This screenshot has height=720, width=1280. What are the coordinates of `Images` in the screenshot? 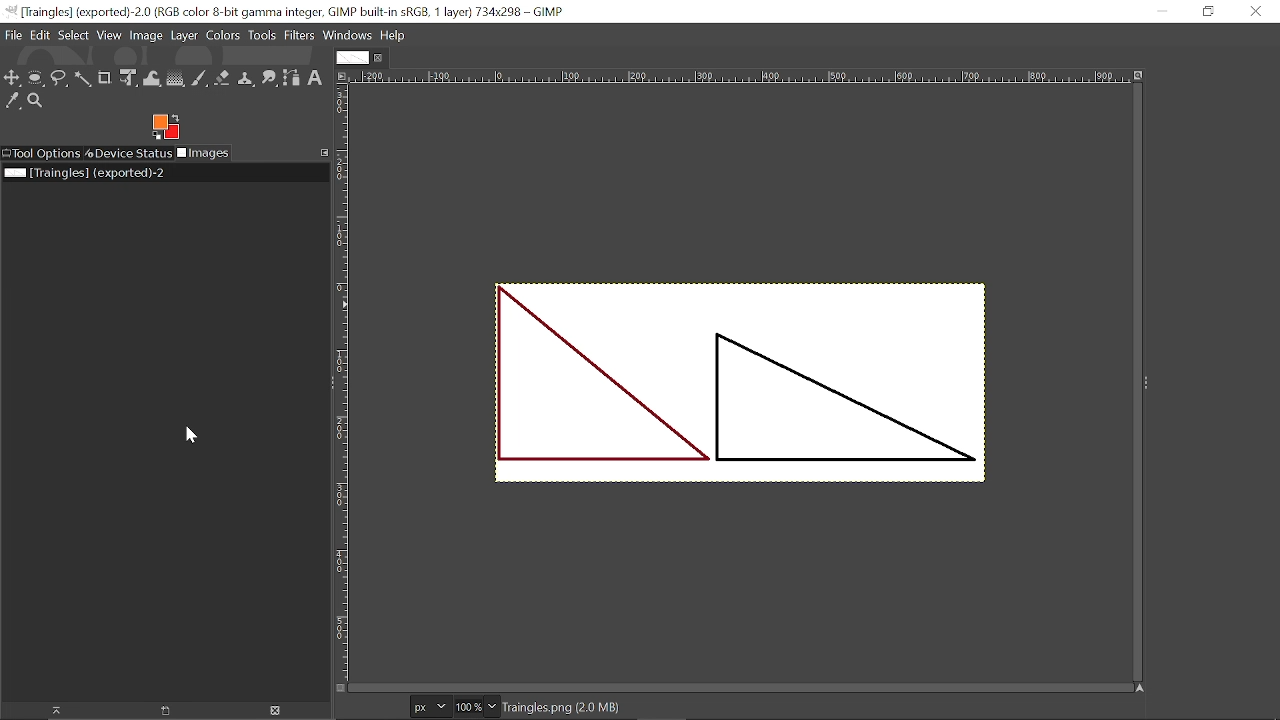 It's located at (202, 153).